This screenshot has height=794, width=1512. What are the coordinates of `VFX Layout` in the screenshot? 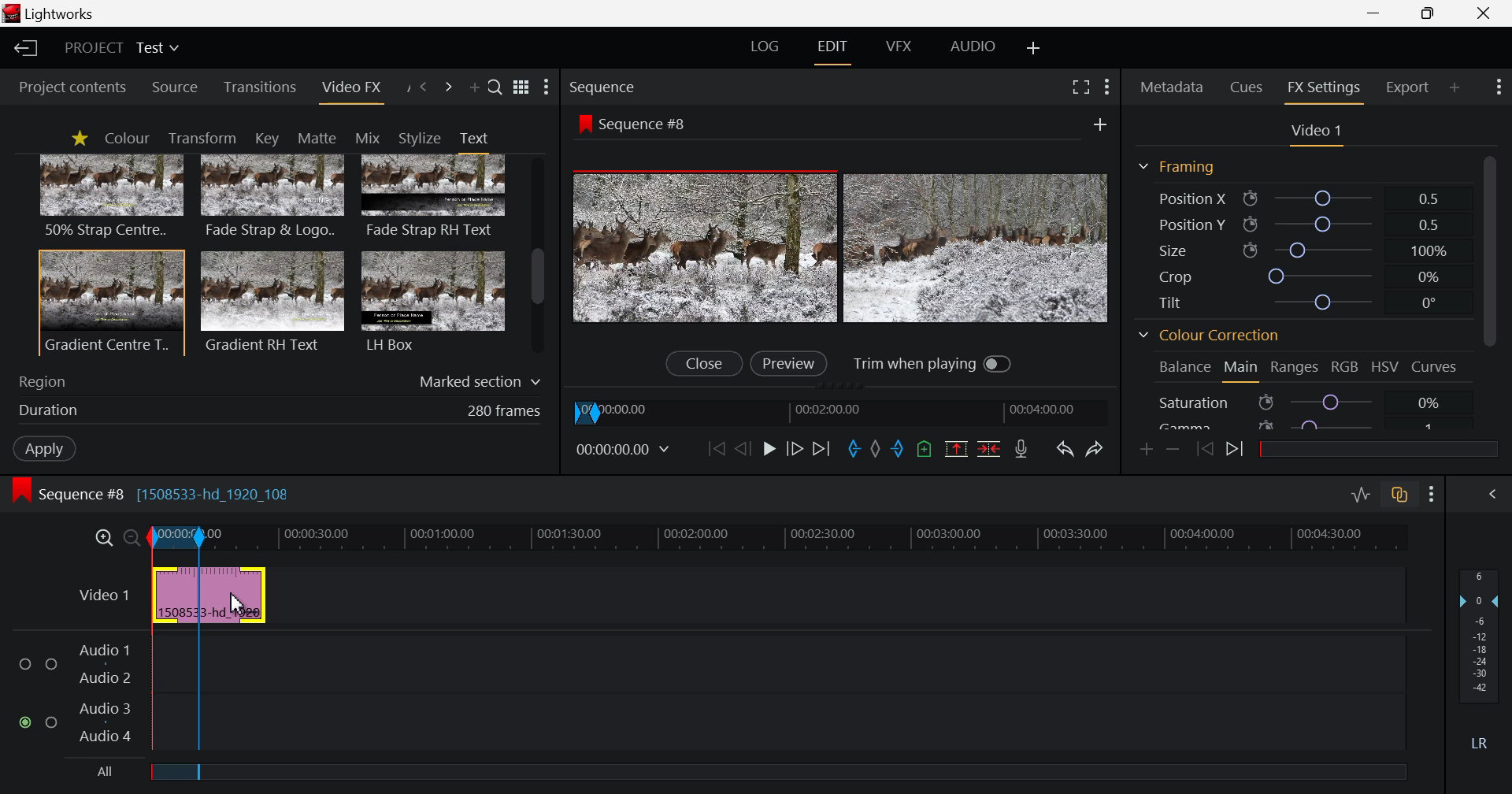 It's located at (902, 46).